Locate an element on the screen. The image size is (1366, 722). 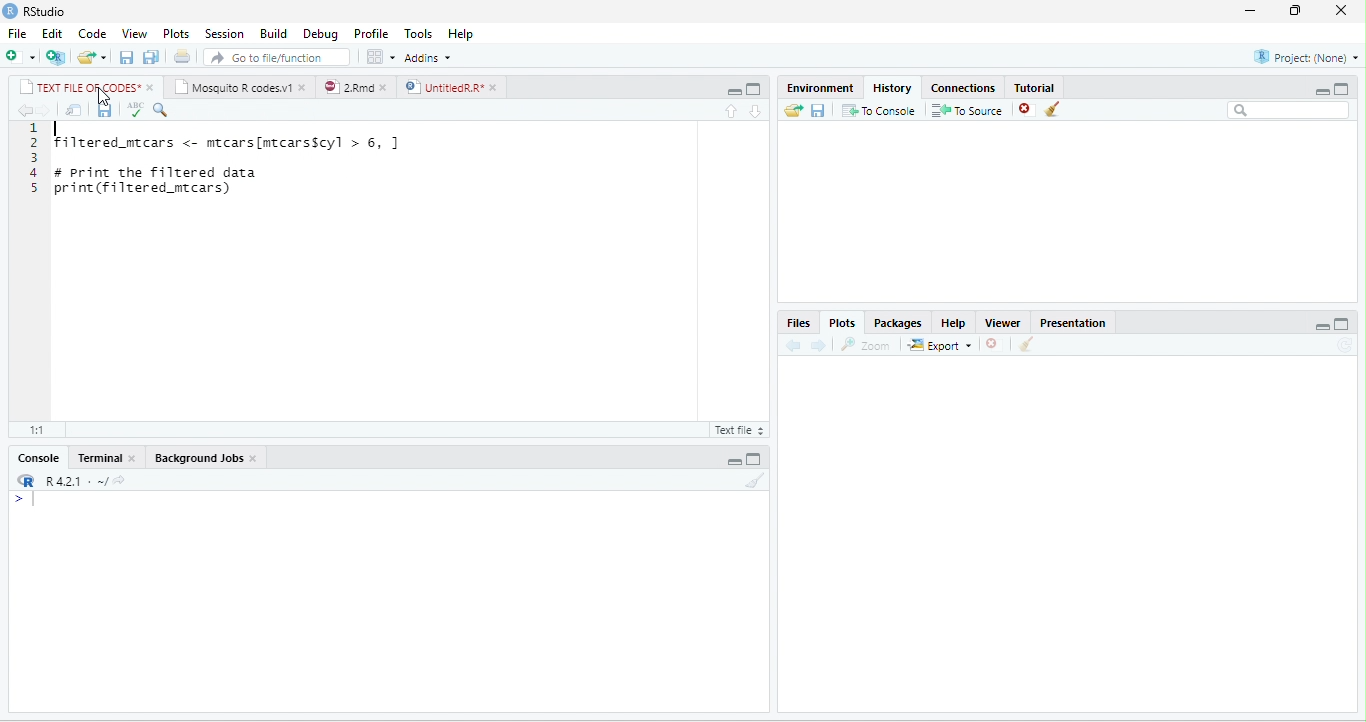
Code is located at coordinates (93, 33).